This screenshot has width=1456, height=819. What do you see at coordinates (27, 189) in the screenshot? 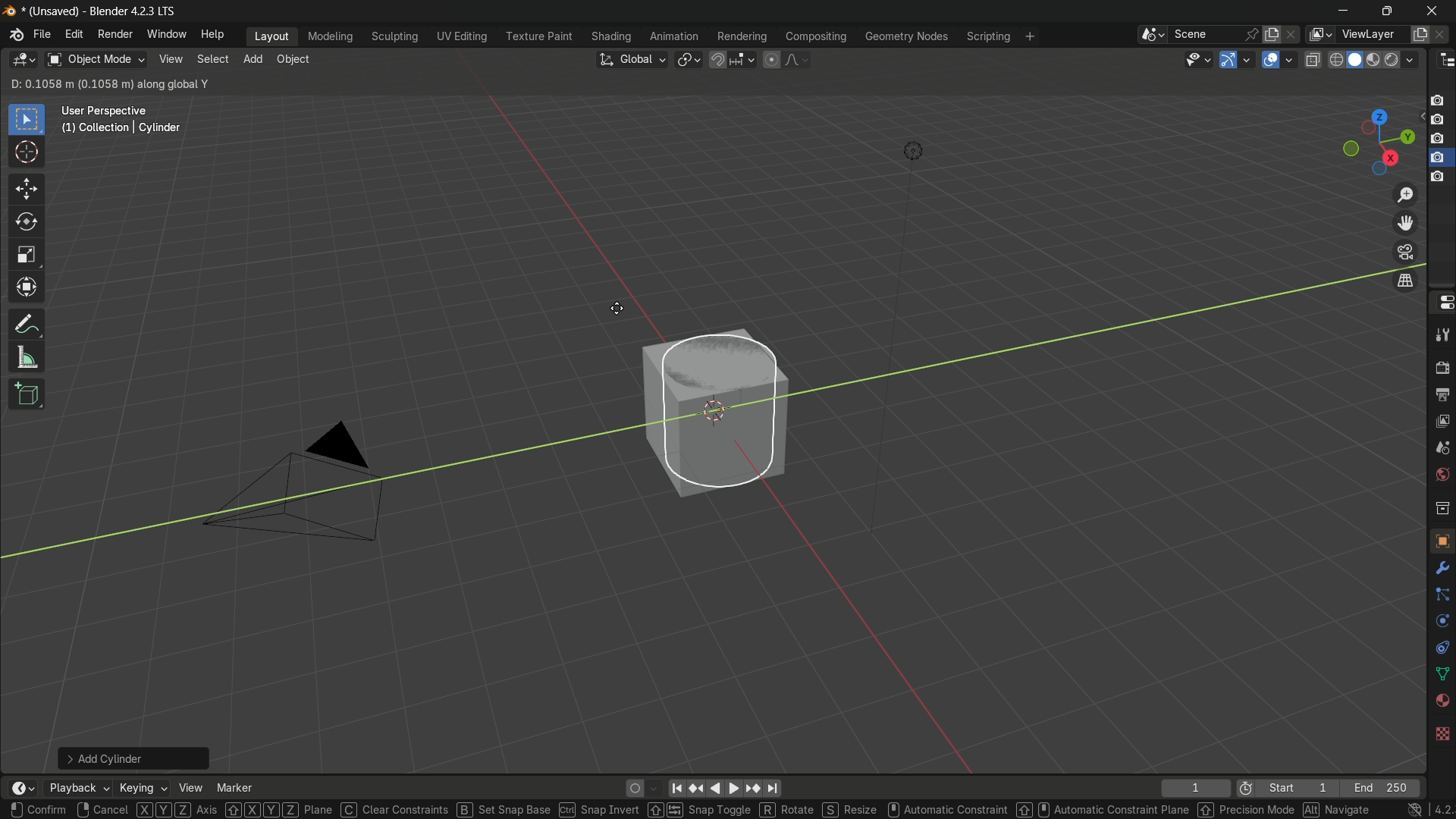
I see `move` at bounding box center [27, 189].